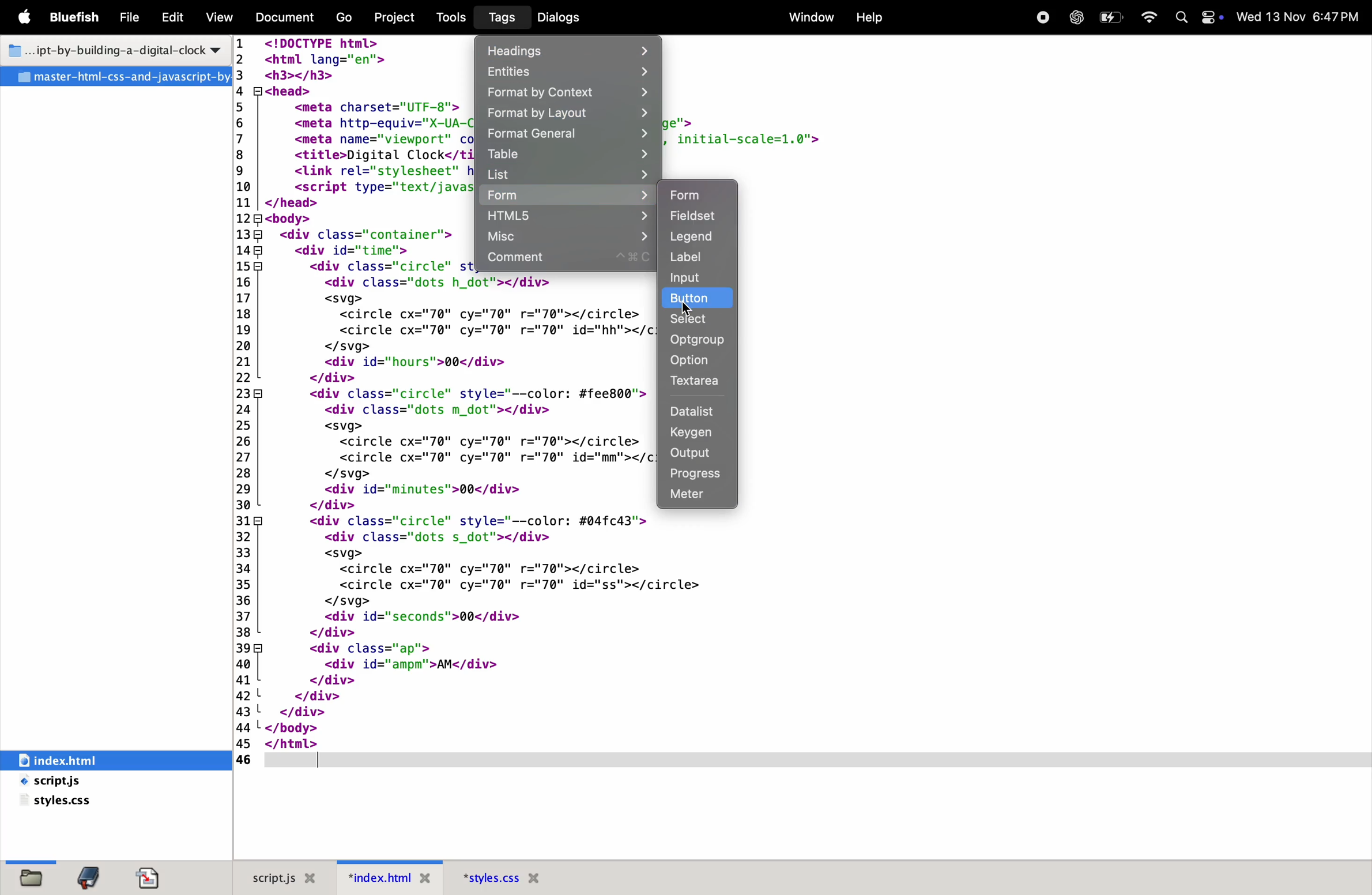  Describe the element at coordinates (566, 195) in the screenshot. I see `form` at that location.